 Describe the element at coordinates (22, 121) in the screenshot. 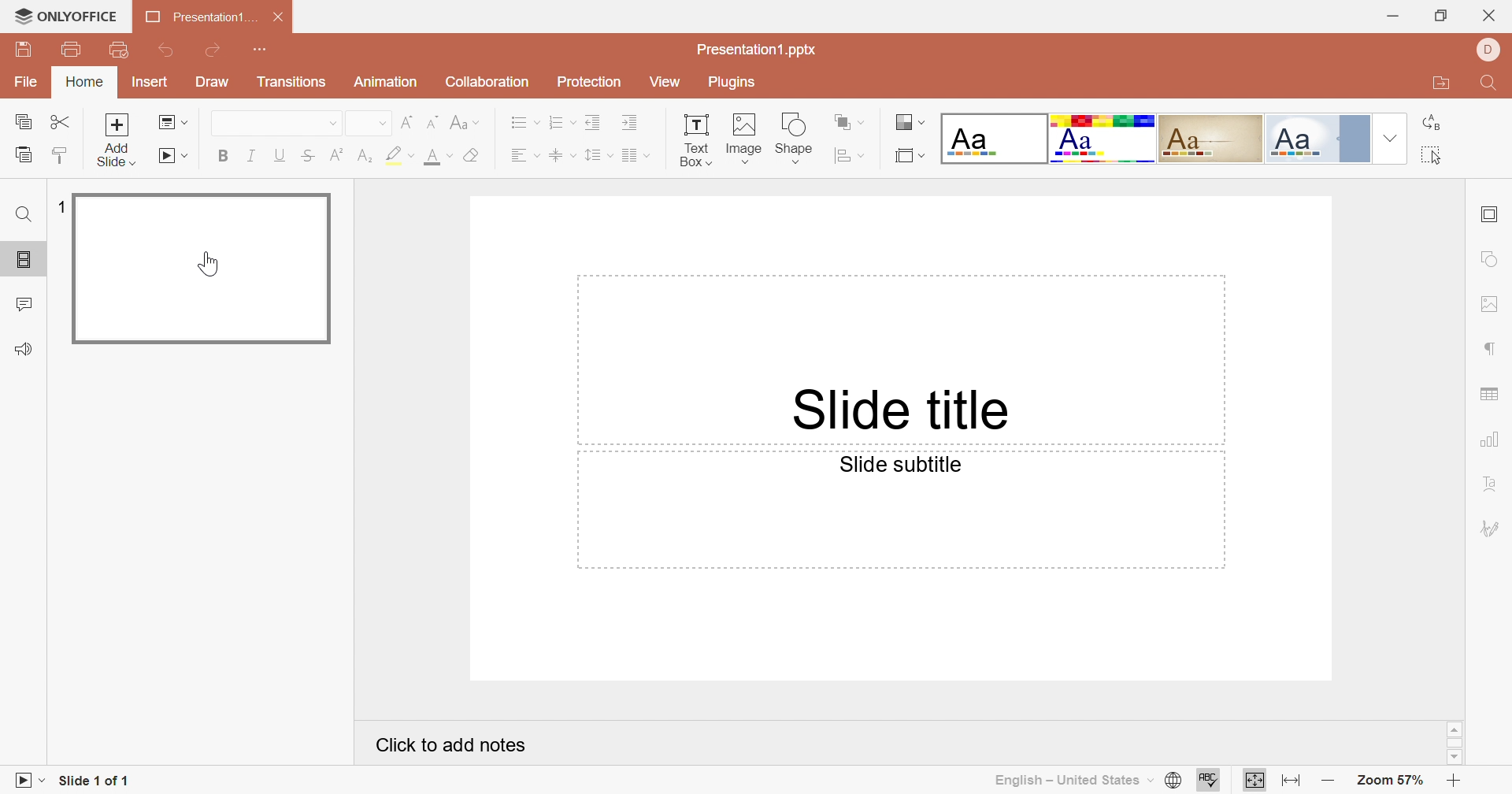

I see `Copy` at that location.